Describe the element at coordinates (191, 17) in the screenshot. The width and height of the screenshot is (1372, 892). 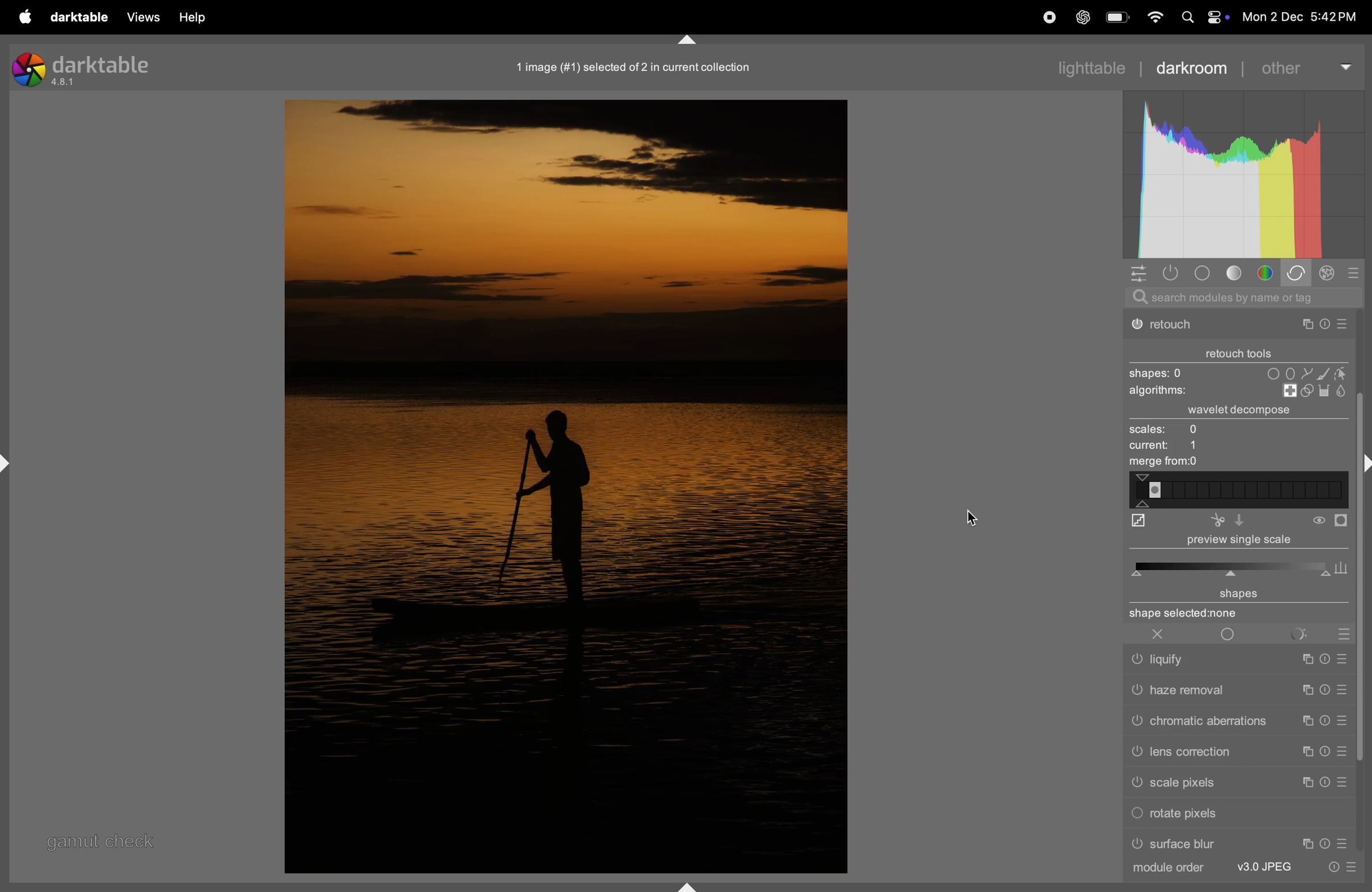
I see `help` at that location.